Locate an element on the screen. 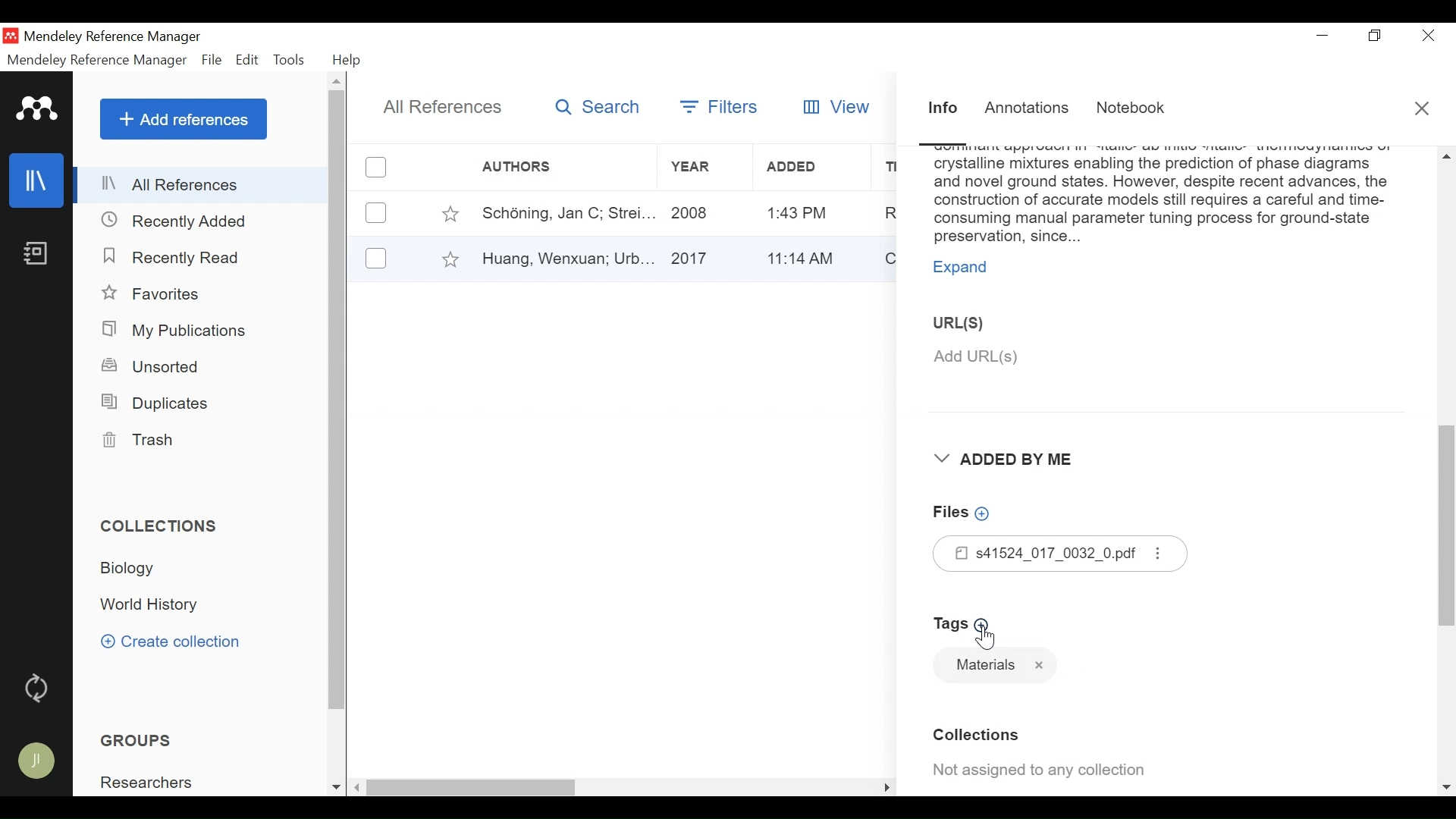  All References is located at coordinates (202, 184).